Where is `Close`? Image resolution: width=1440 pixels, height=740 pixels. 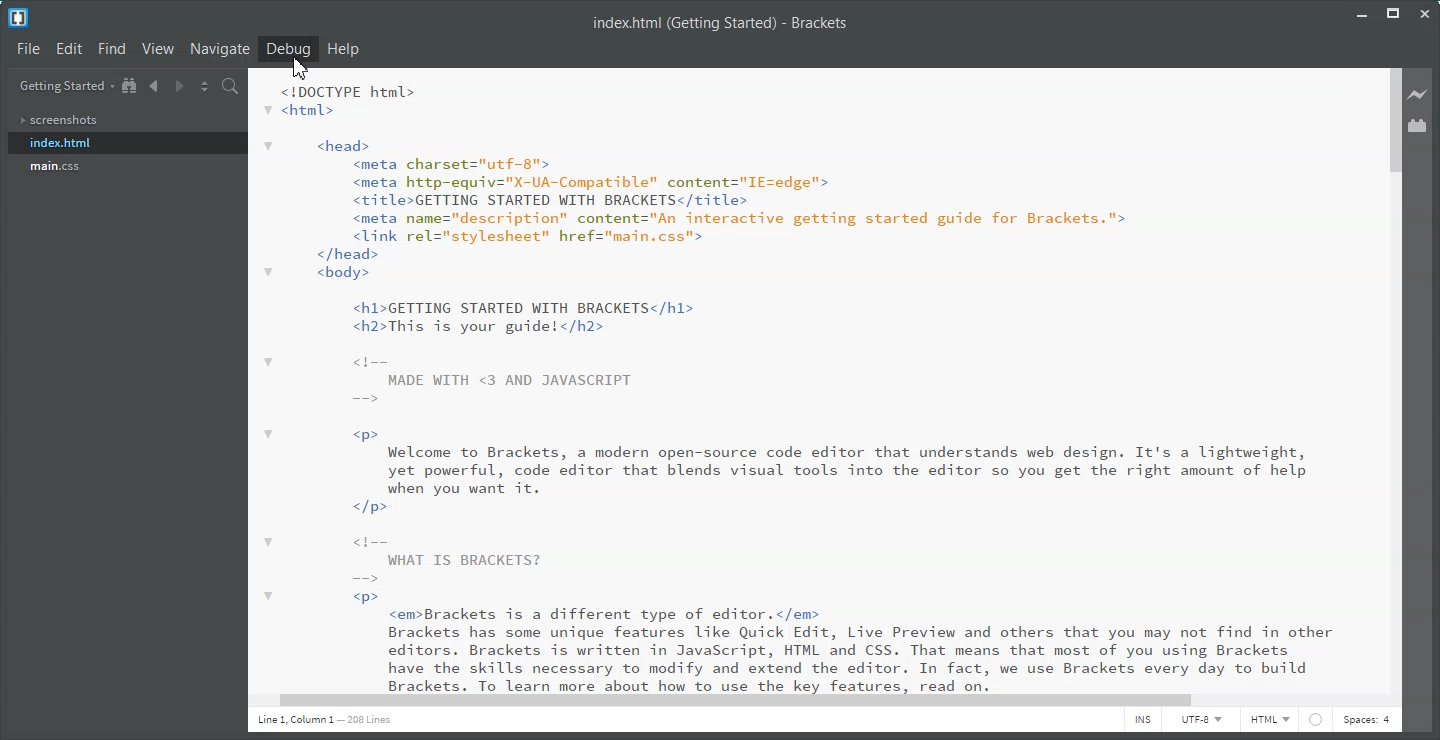 Close is located at coordinates (1424, 14).